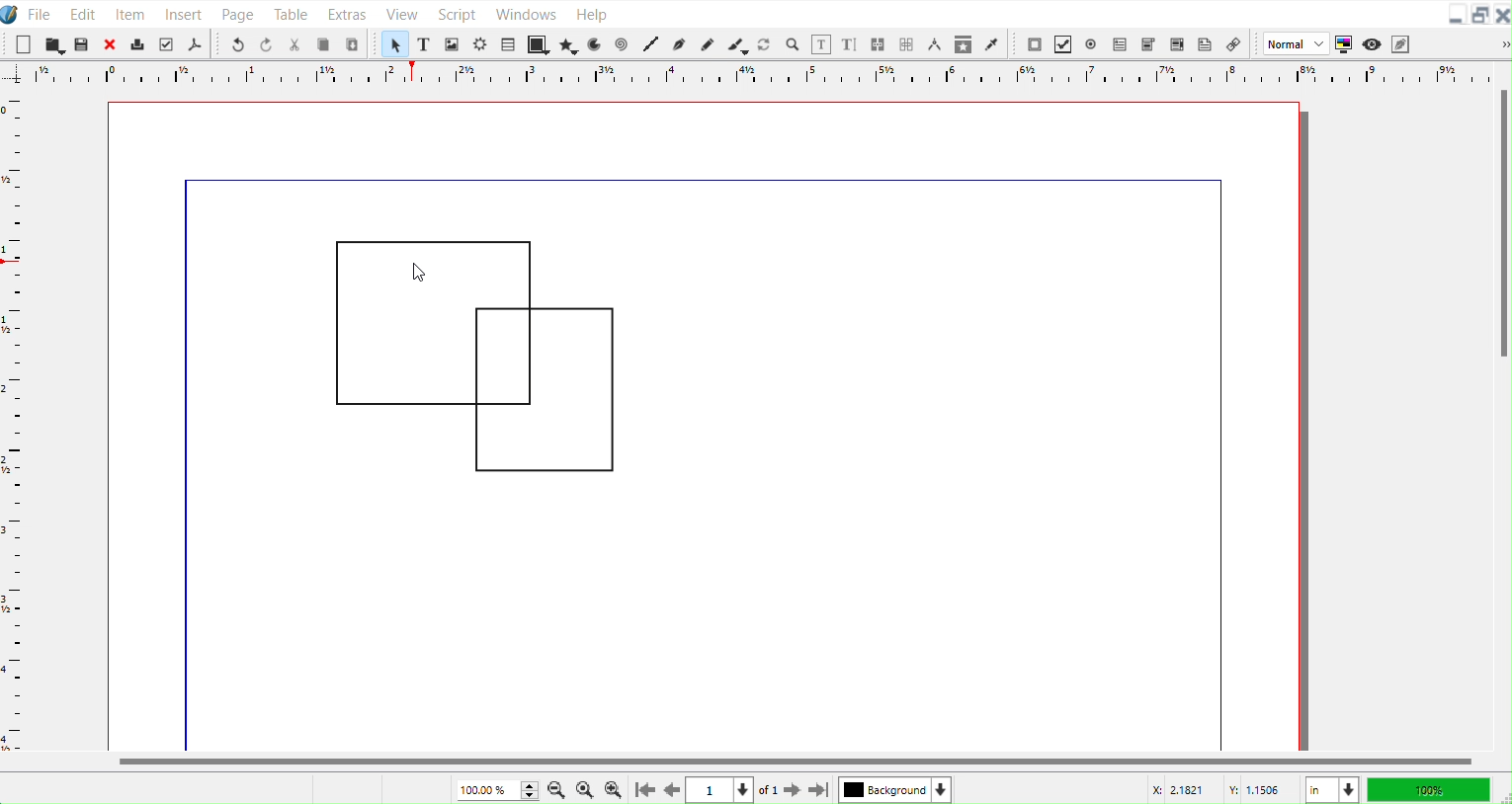  I want to click on PDF Check box, so click(1062, 43).